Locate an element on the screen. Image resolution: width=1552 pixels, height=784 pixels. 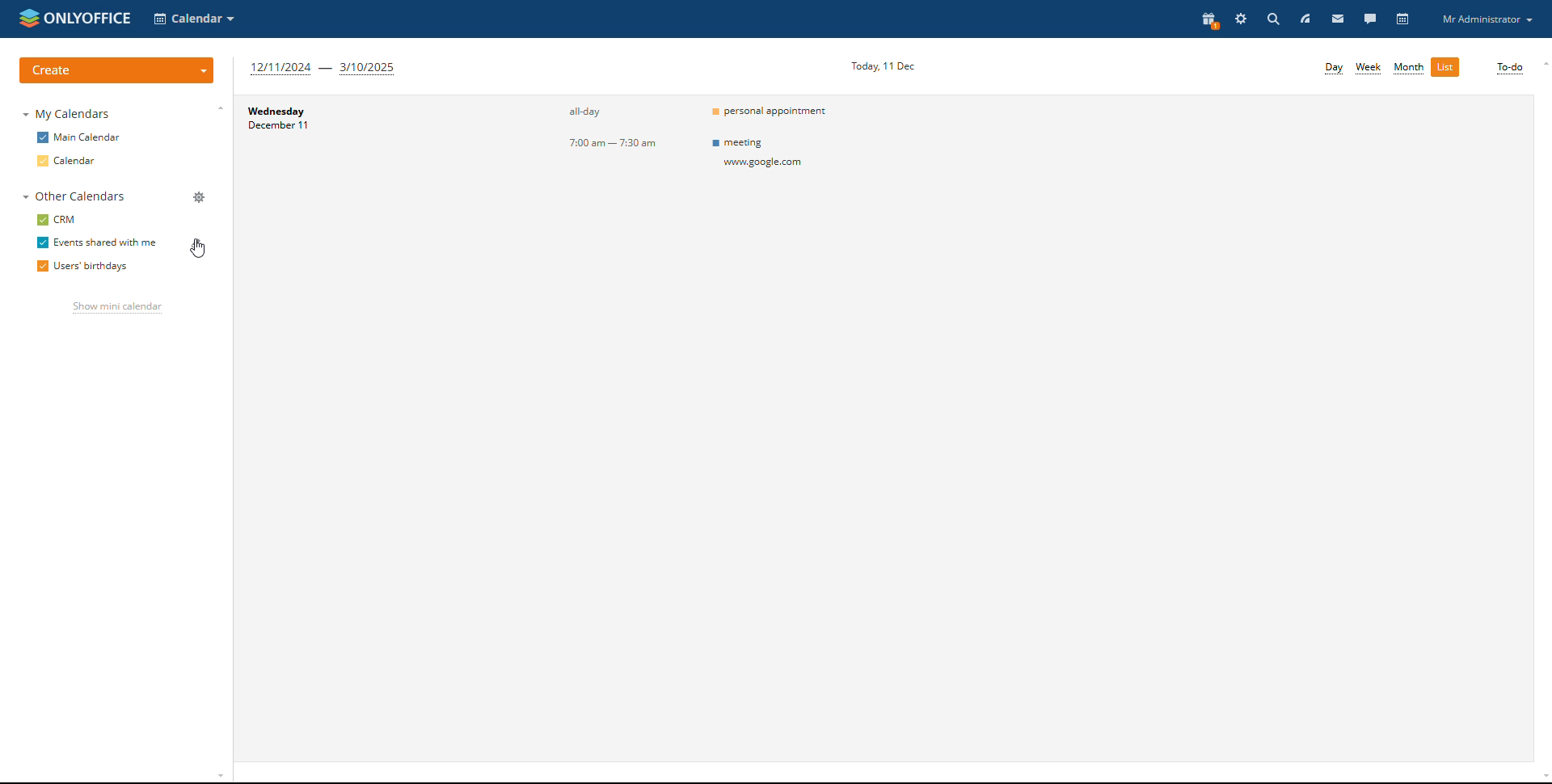
manage is located at coordinates (200, 198).